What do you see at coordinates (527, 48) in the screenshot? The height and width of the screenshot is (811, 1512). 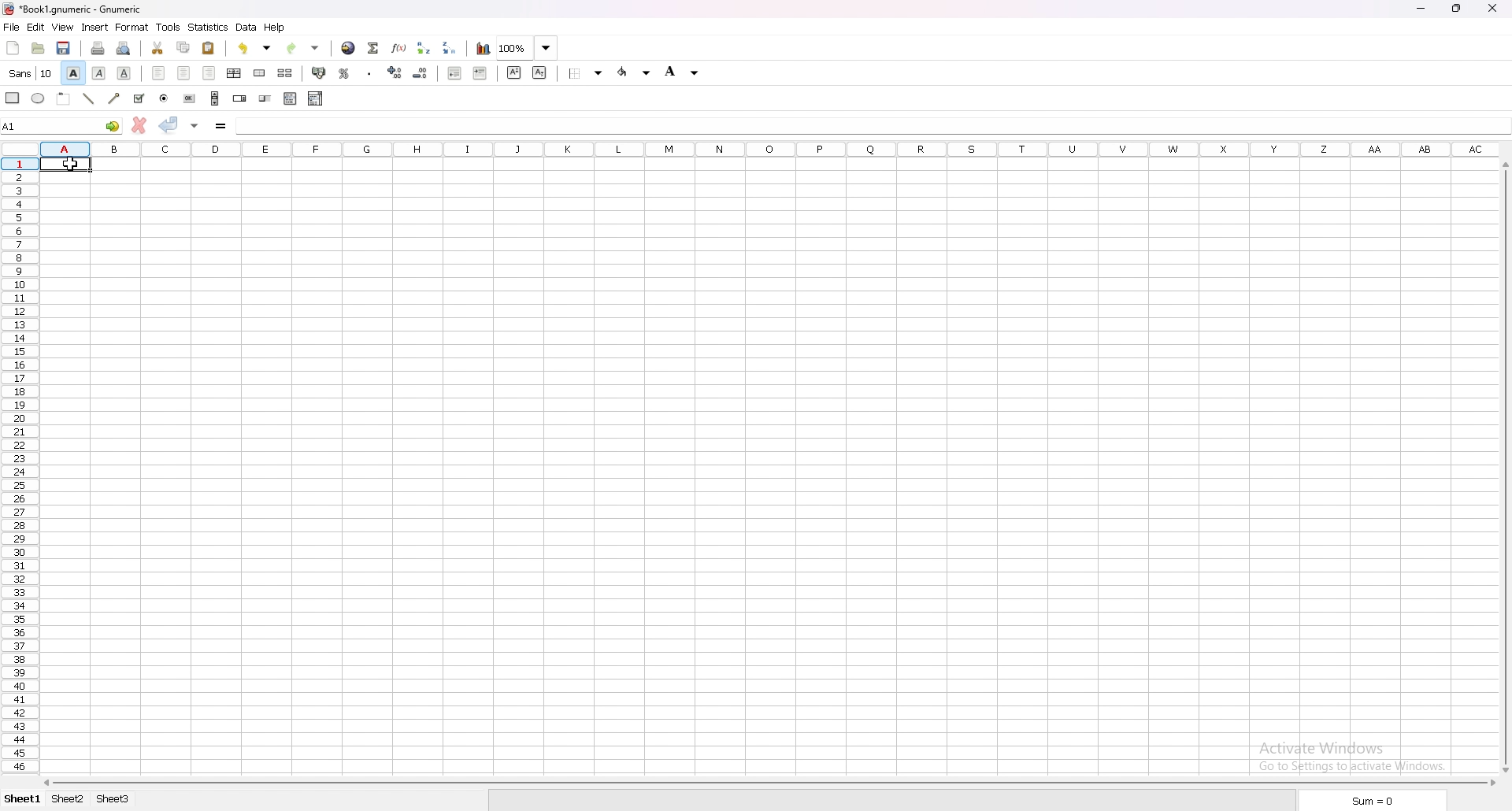 I see `zoom` at bounding box center [527, 48].